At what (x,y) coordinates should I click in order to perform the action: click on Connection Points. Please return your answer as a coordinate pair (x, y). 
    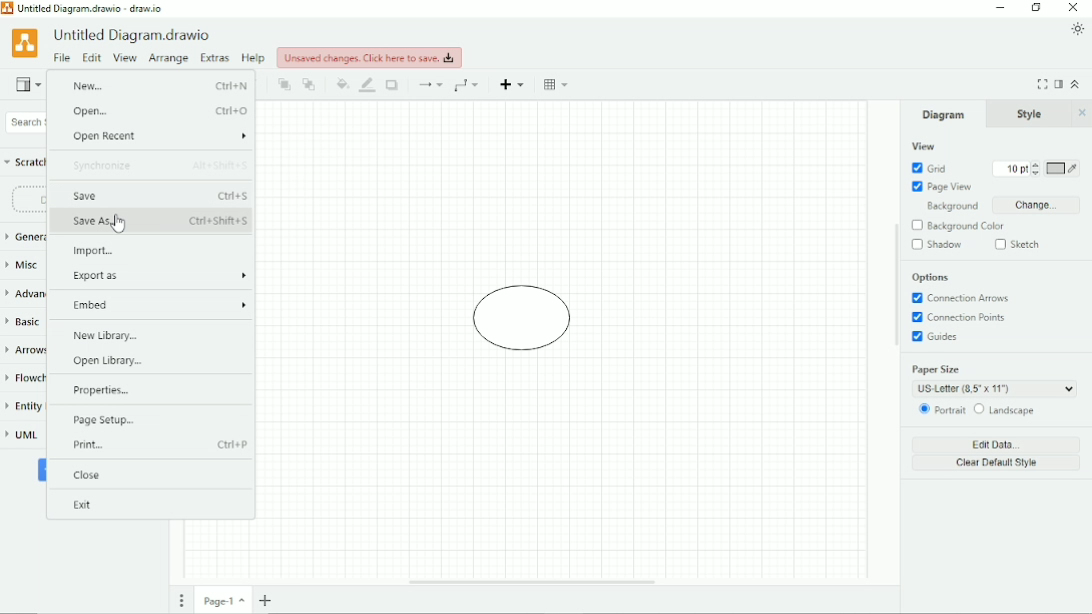
    Looking at the image, I should click on (963, 317).